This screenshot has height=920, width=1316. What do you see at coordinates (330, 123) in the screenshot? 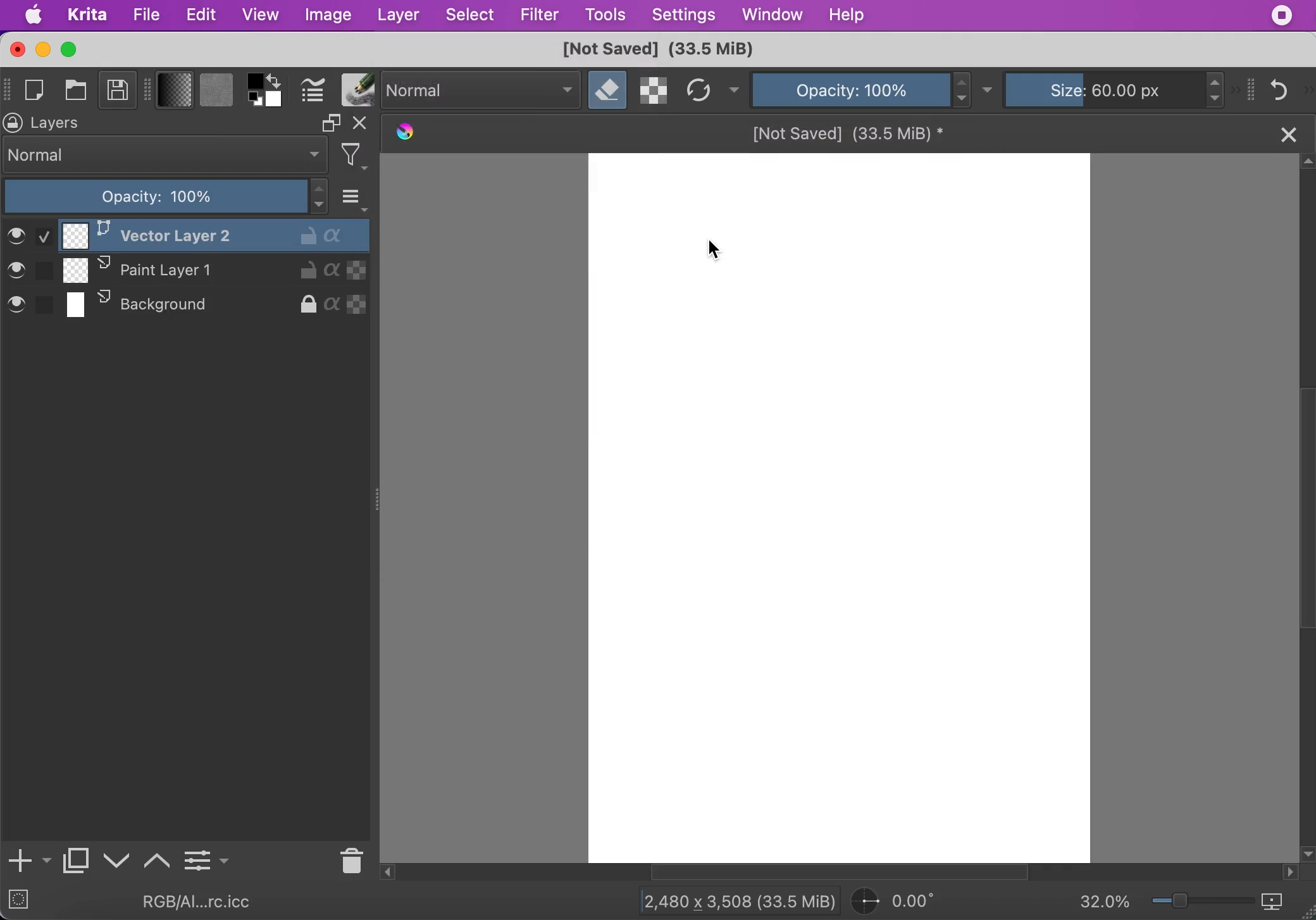
I see `float docker` at bounding box center [330, 123].